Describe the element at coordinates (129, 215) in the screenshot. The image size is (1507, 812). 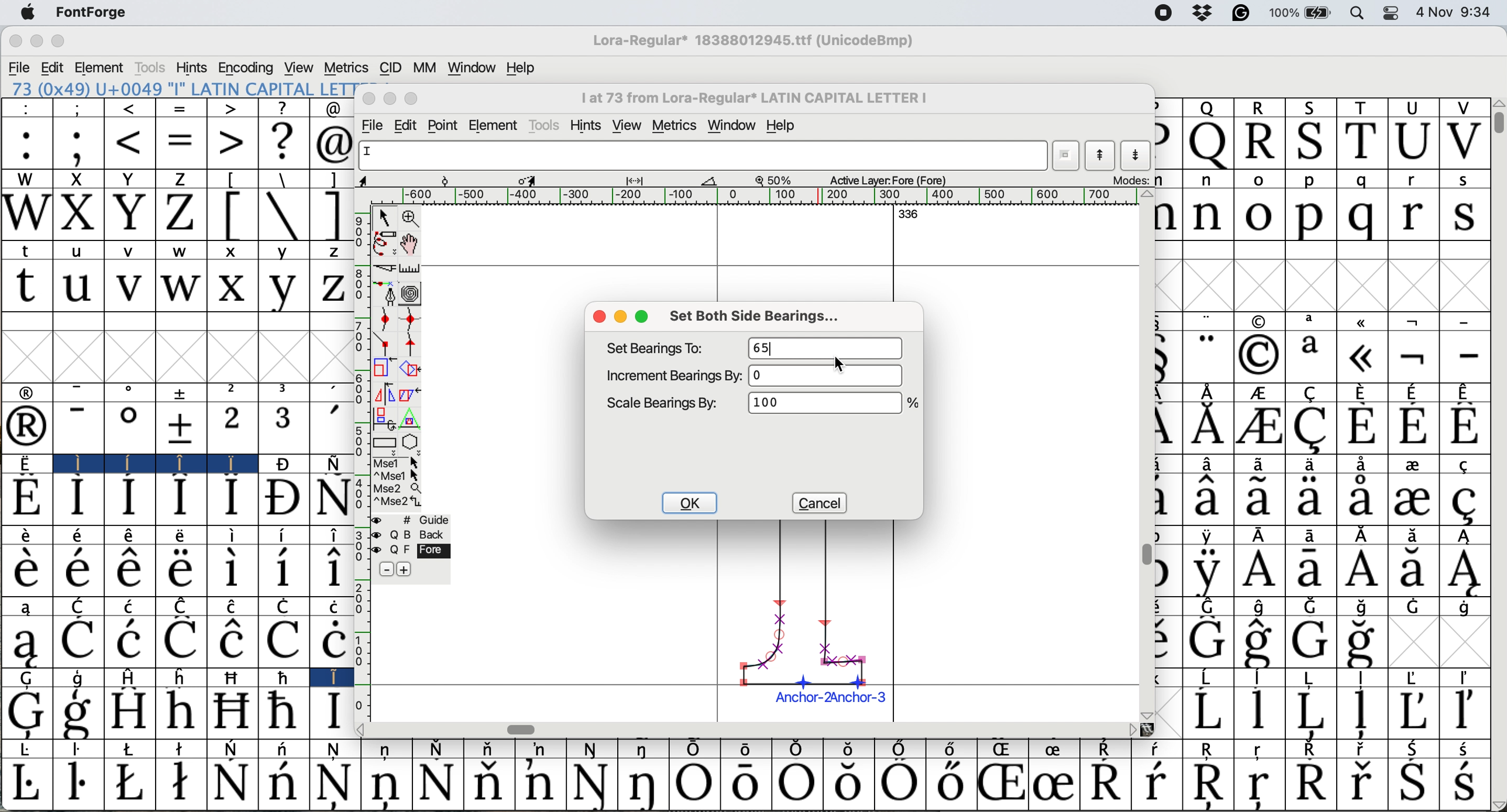
I see `Y` at that location.